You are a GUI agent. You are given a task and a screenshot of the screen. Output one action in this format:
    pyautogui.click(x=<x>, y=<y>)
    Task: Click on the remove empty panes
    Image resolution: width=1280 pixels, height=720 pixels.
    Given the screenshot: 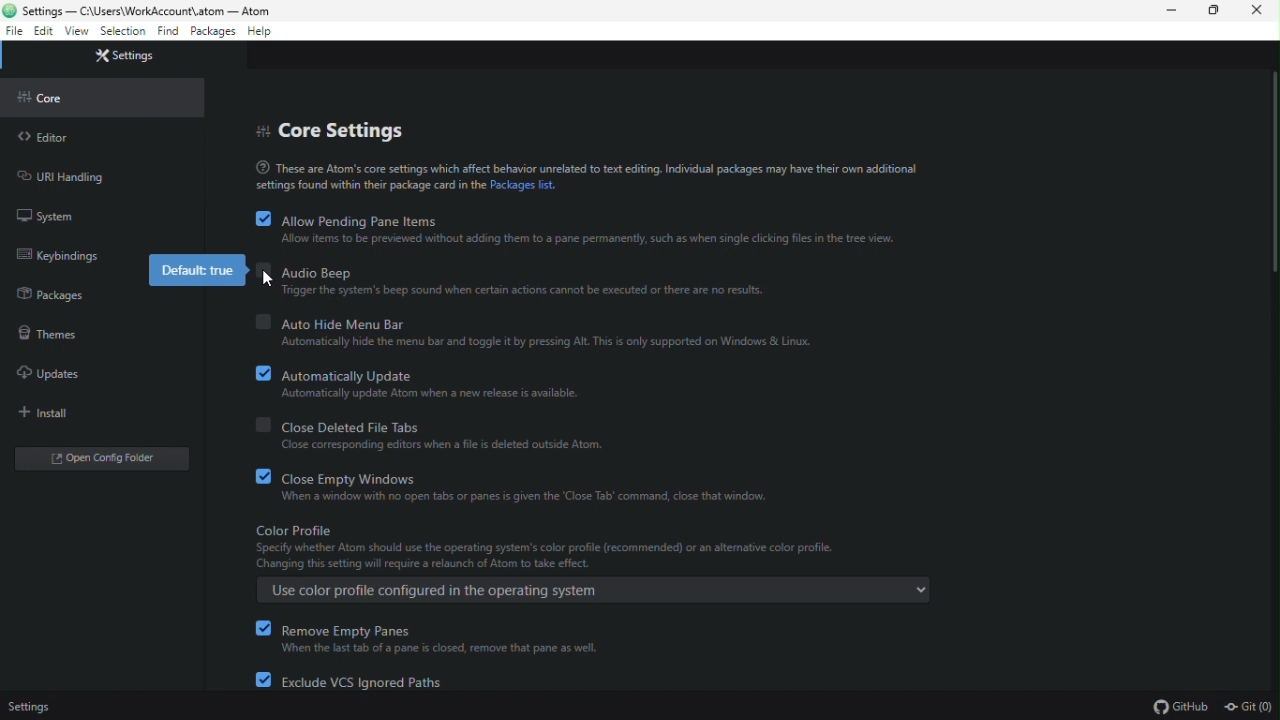 What is the action you would take?
    pyautogui.click(x=429, y=629)
    